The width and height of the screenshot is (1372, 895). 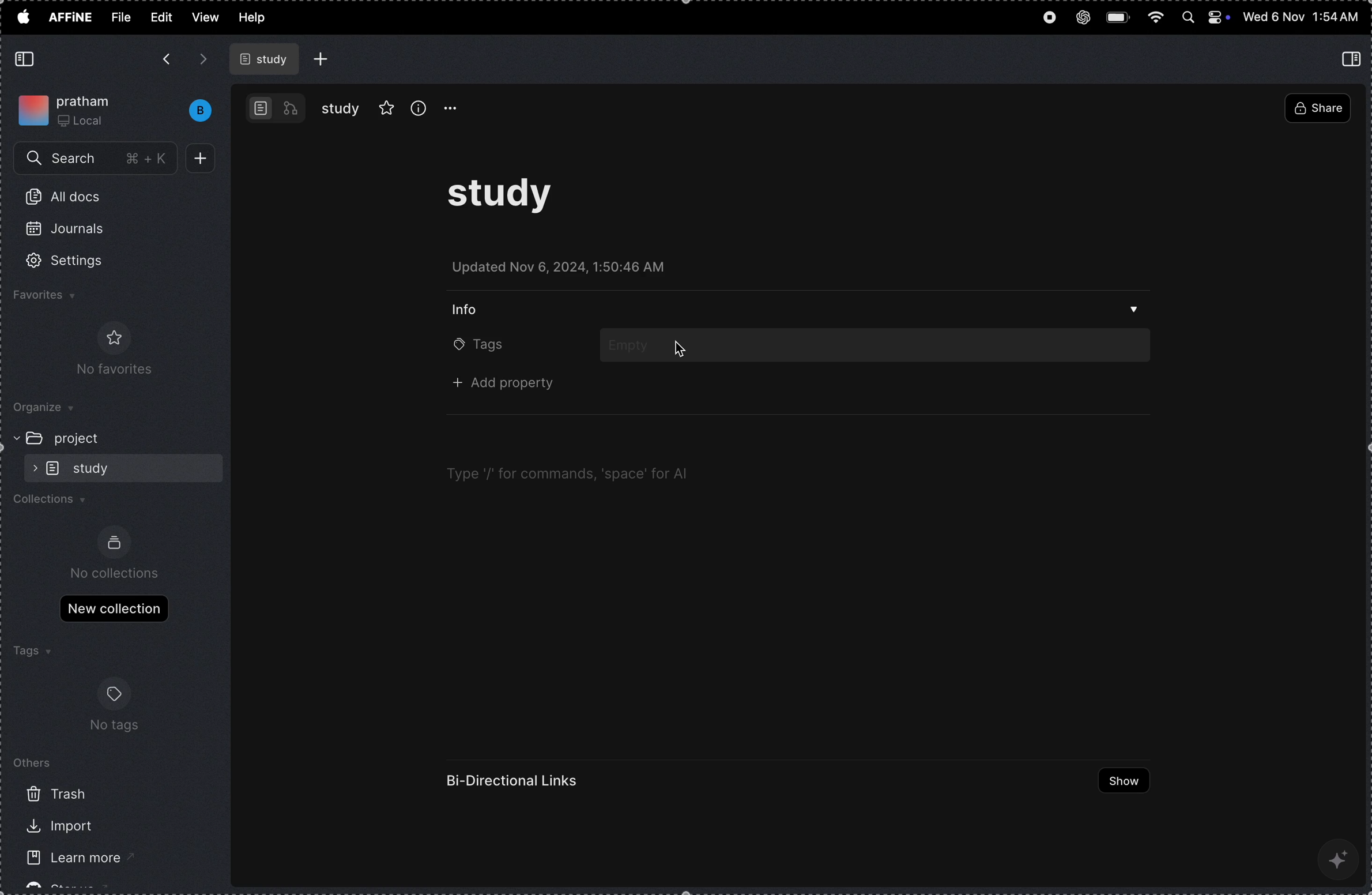 What do you see at coordinates (205, 17) in the screenshot?
I see `view` at bounding box center [205, 17].